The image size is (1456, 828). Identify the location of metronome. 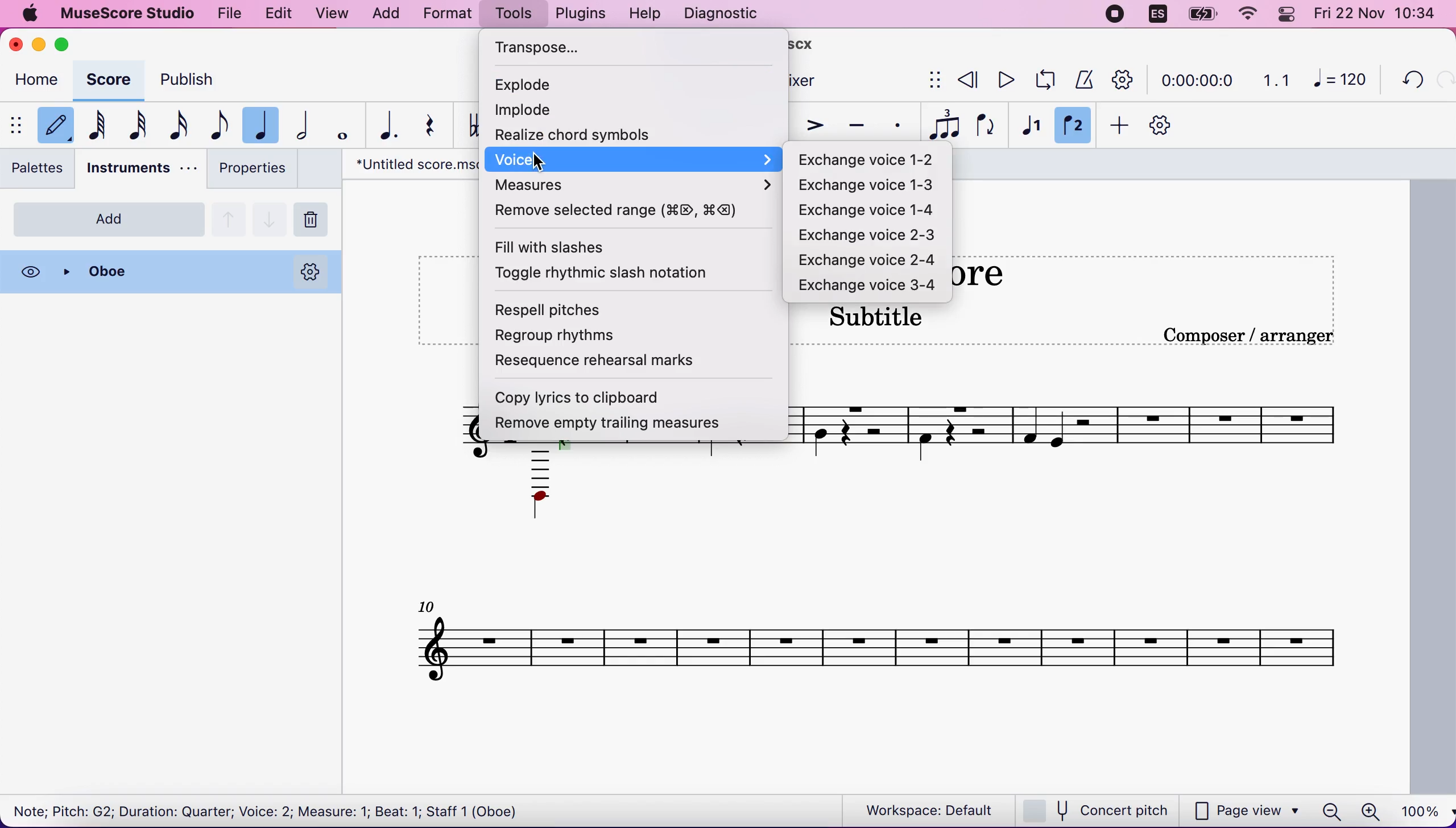
(1086, 78).